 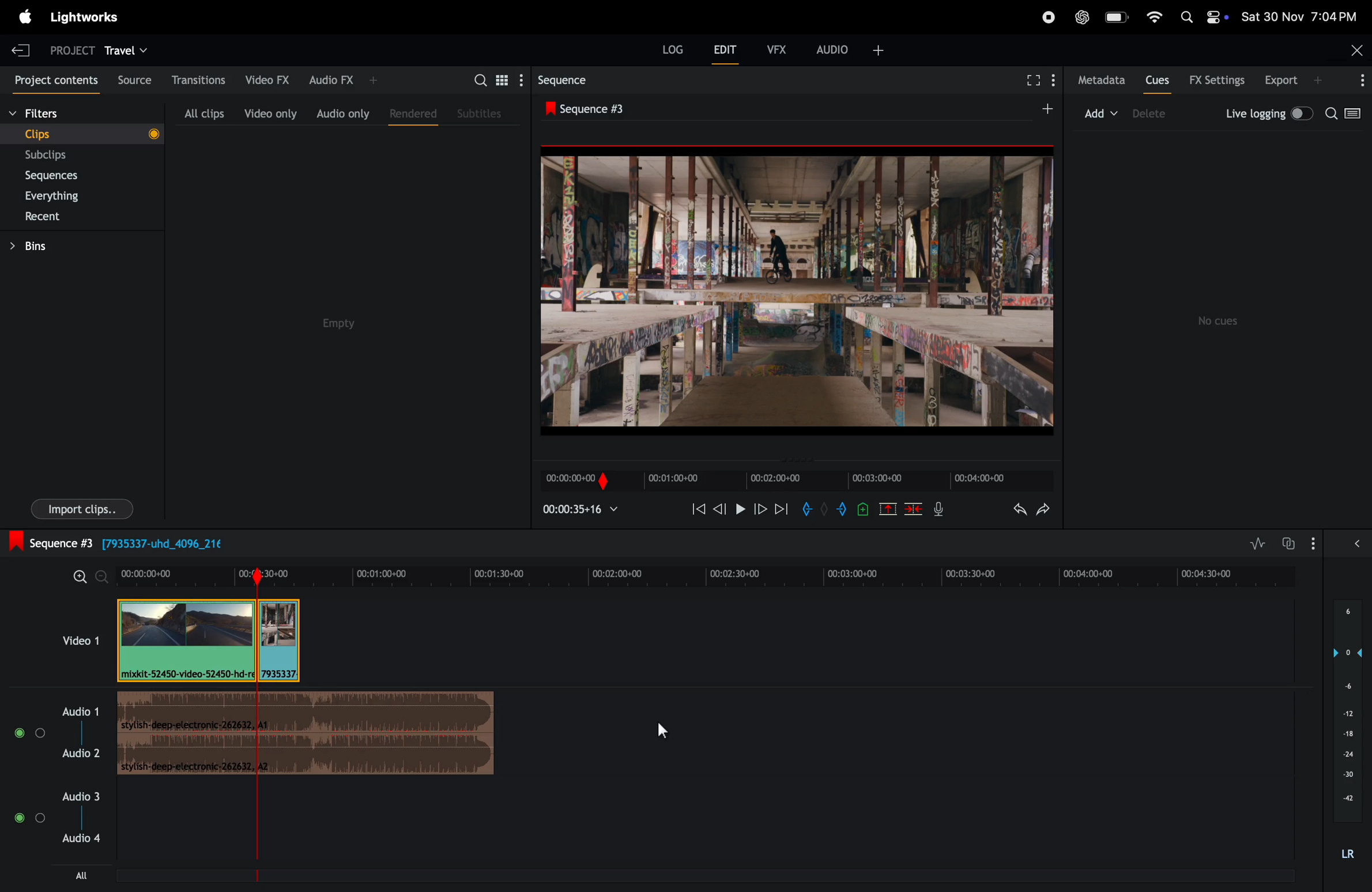 What do you see at coordinates (1347, 617) in the screenshot?
I see `6 (layers)` at bounding box center [1347, 617].